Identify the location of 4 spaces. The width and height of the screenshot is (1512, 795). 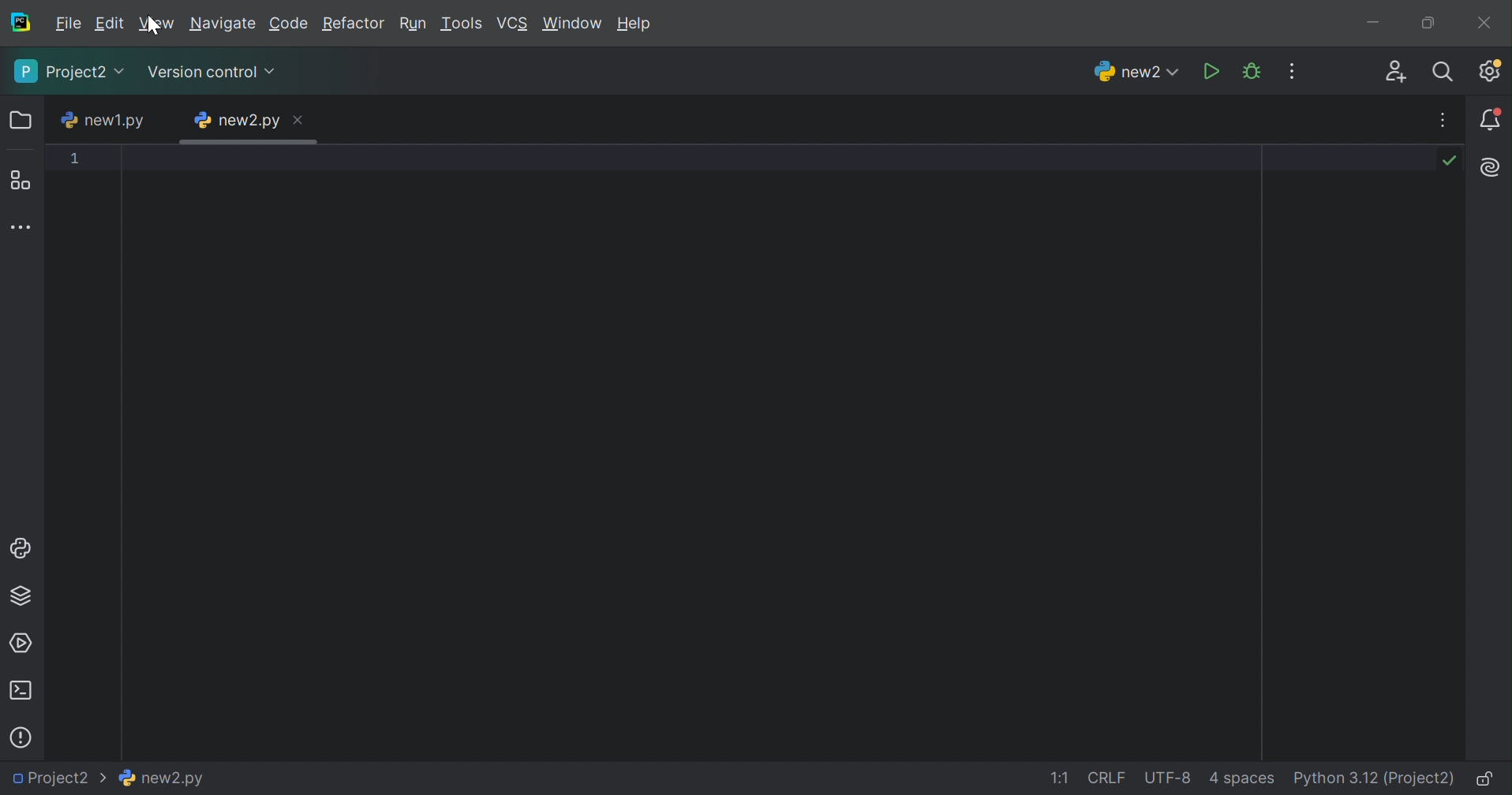
(1239, 779).